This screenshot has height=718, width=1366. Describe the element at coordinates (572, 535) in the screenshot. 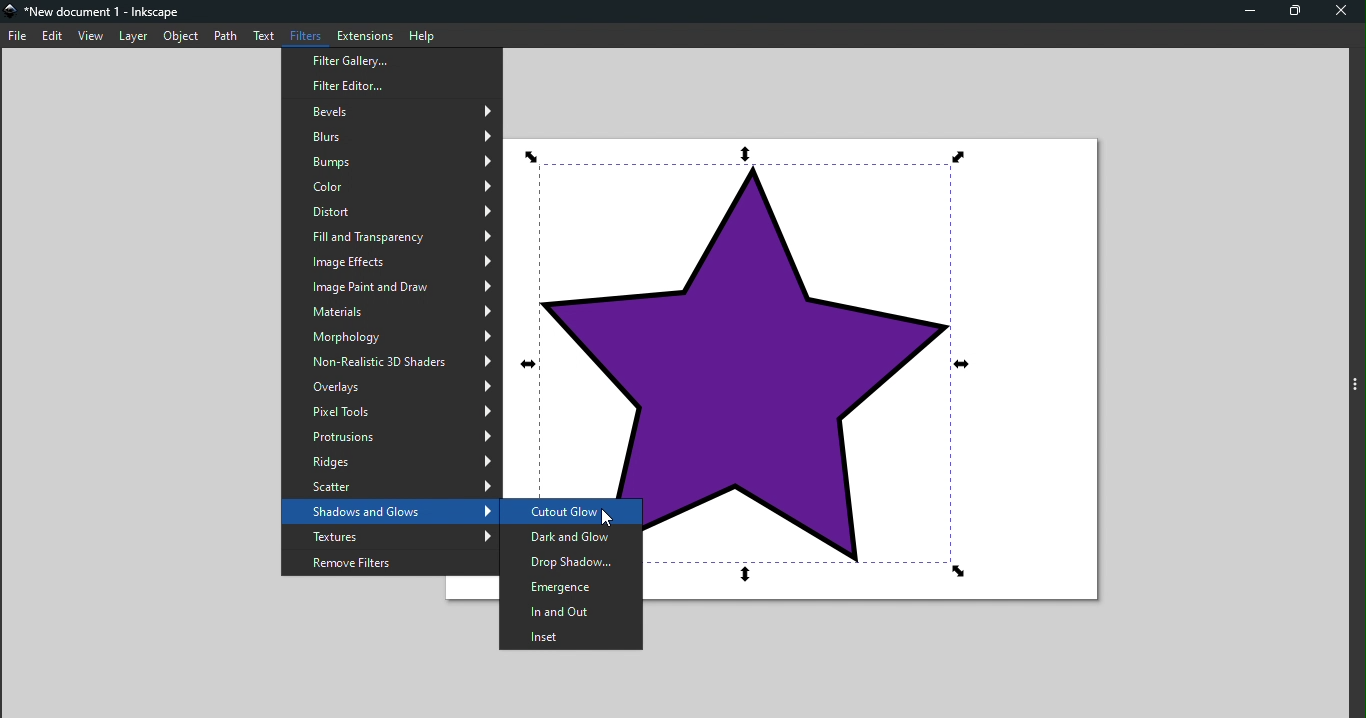

I see `Dark and Glow` at that location.